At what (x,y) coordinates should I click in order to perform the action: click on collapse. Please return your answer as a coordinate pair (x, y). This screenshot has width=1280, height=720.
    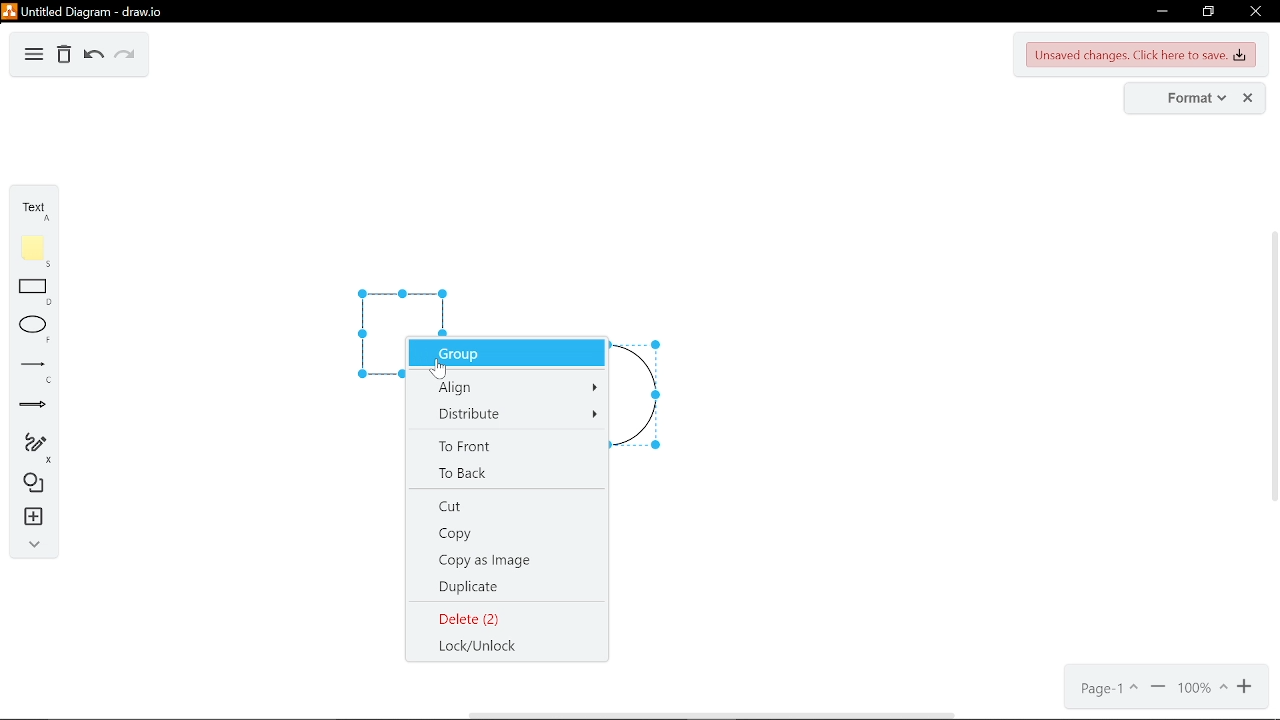
    Looking at the image, I should click on (28, 544).